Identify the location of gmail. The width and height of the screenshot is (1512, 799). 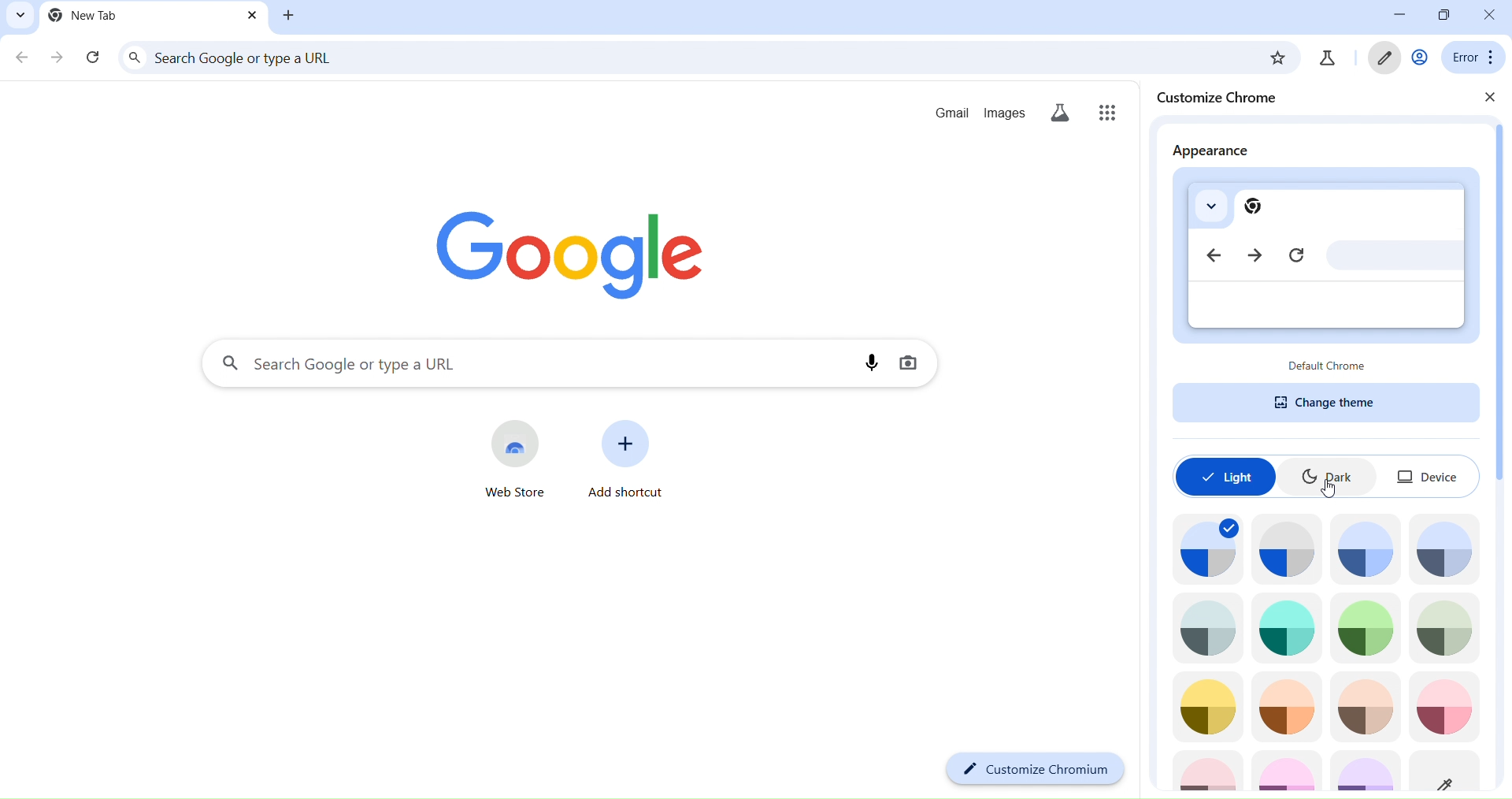
(954, 110).